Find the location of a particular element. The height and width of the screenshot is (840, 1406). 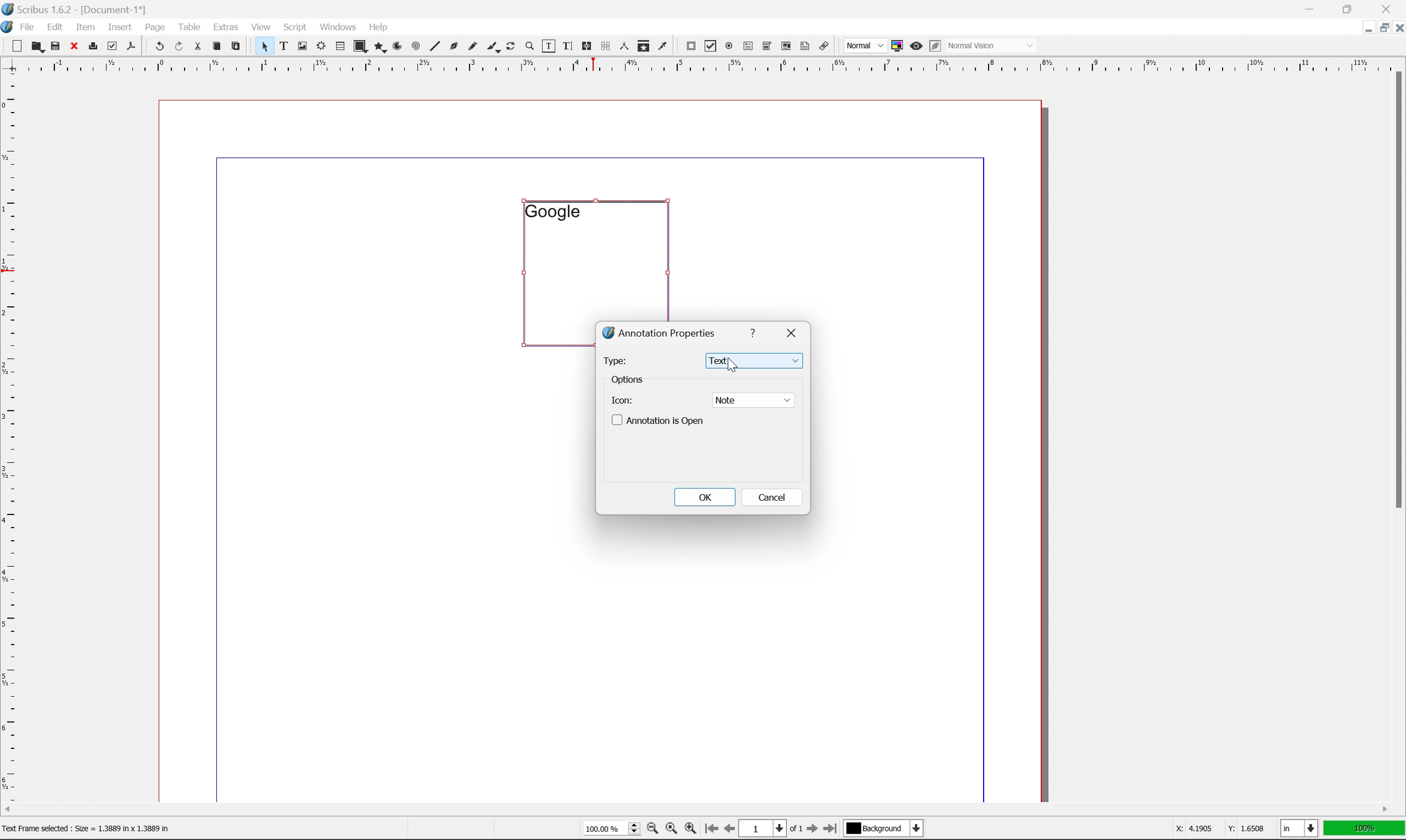

freehand line is located at coordinates (474, 47).